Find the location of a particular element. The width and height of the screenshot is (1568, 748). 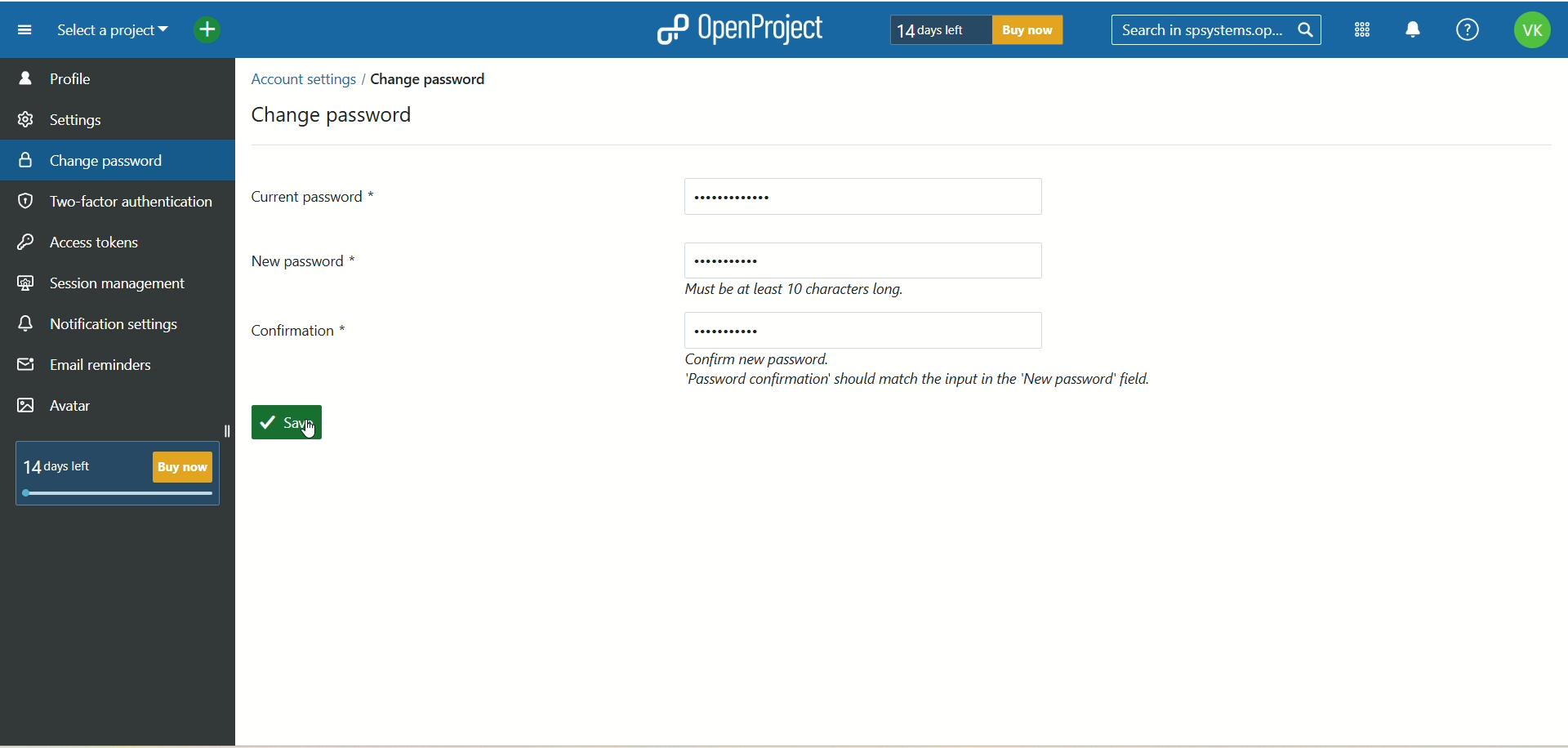

cursor is located at coordinates (312, 432).